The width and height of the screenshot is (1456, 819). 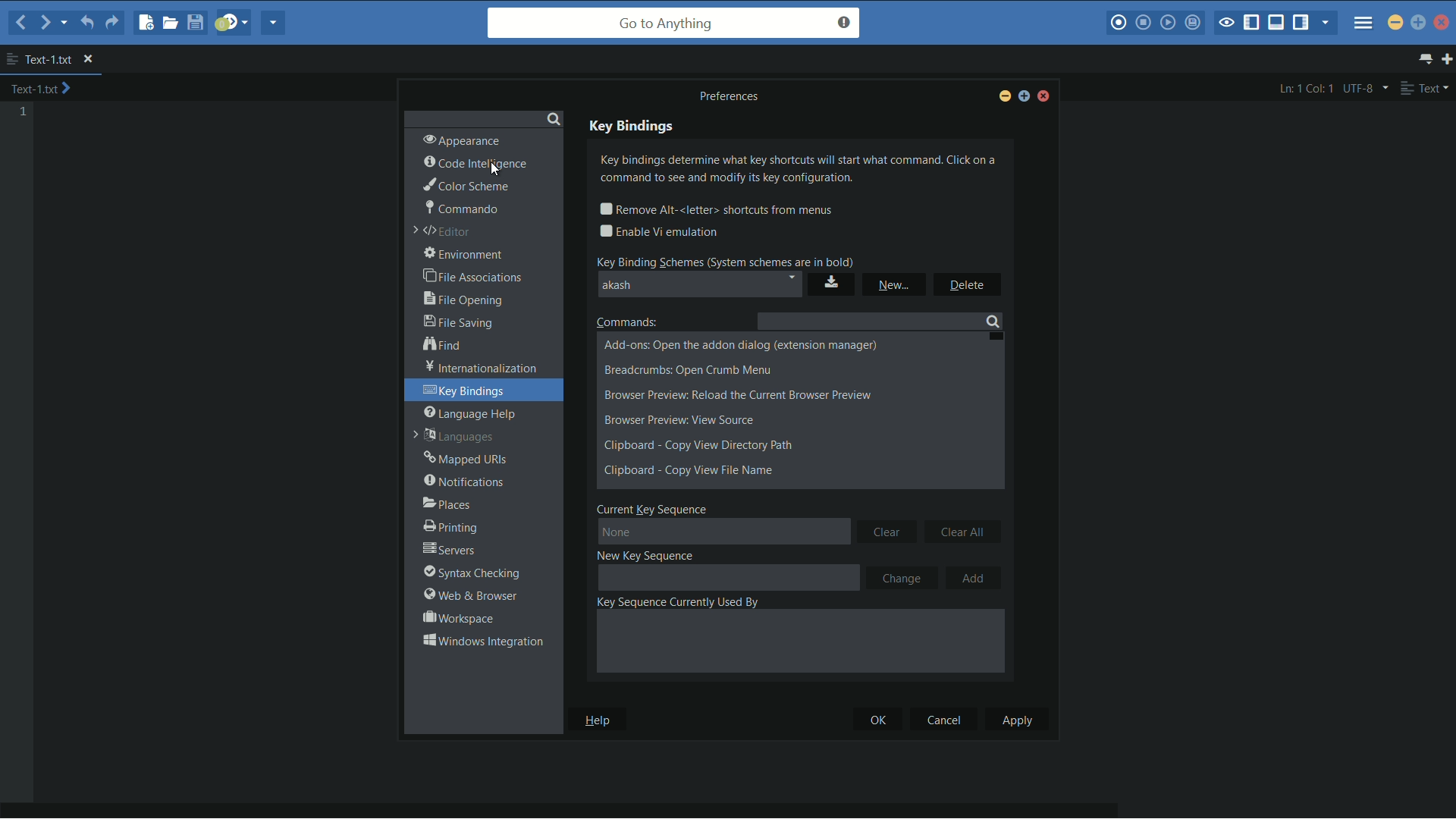 I want to click on enable vi emulation, so click(x=662, y=232).